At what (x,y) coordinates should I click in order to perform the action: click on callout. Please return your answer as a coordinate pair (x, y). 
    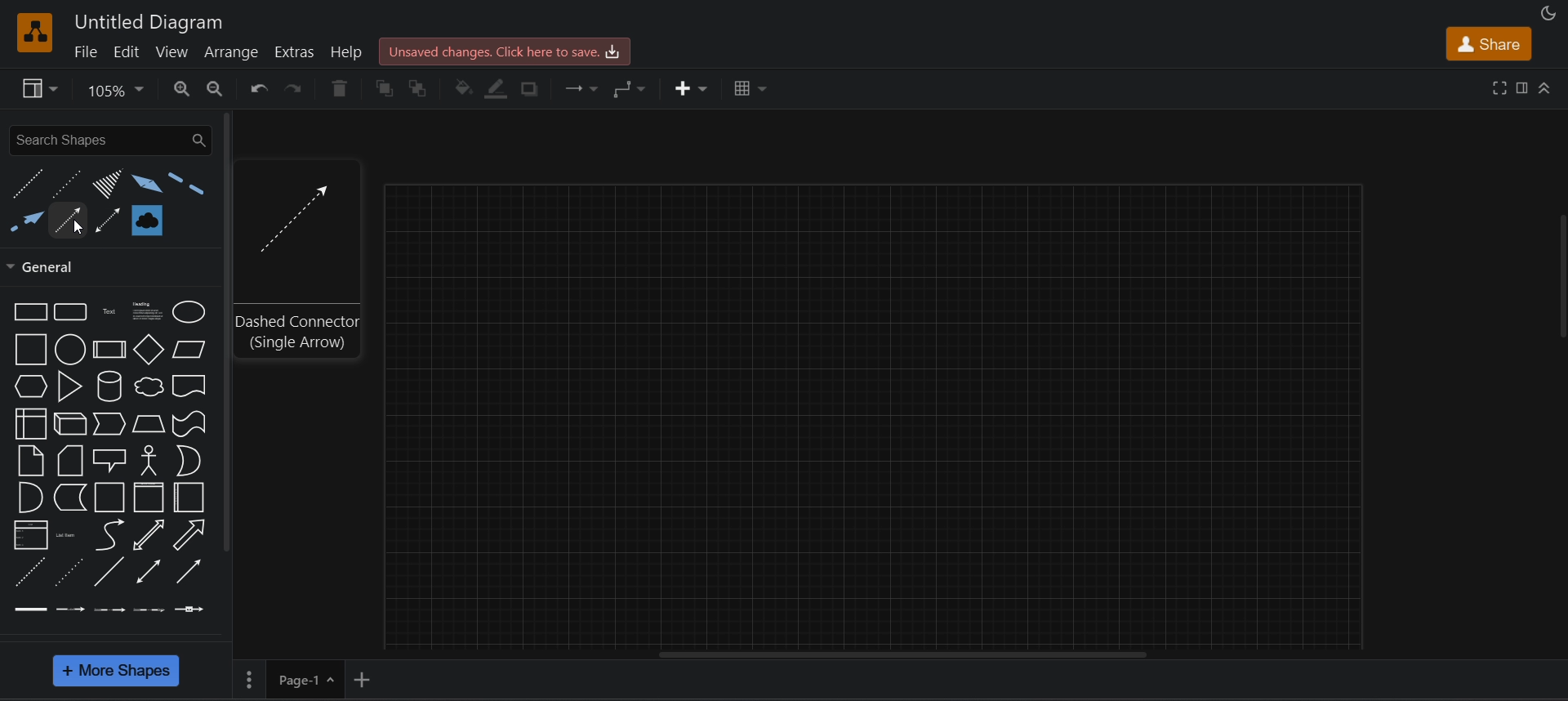
    Looking at the image, I should click on (109, 460).